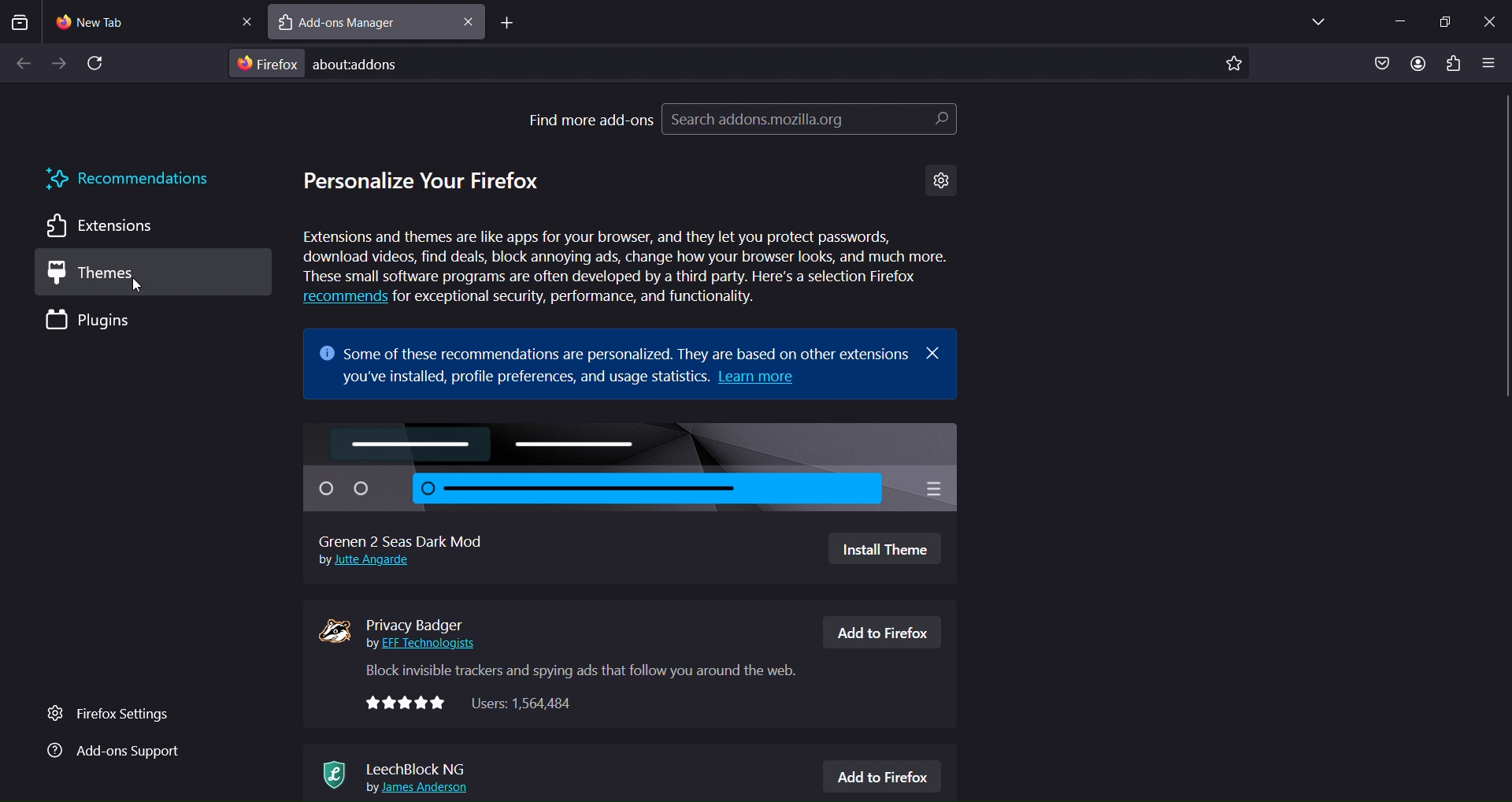  Describe the element at coordinates (421, 788) in the screenshot. I see `lames Anderson` at that location.